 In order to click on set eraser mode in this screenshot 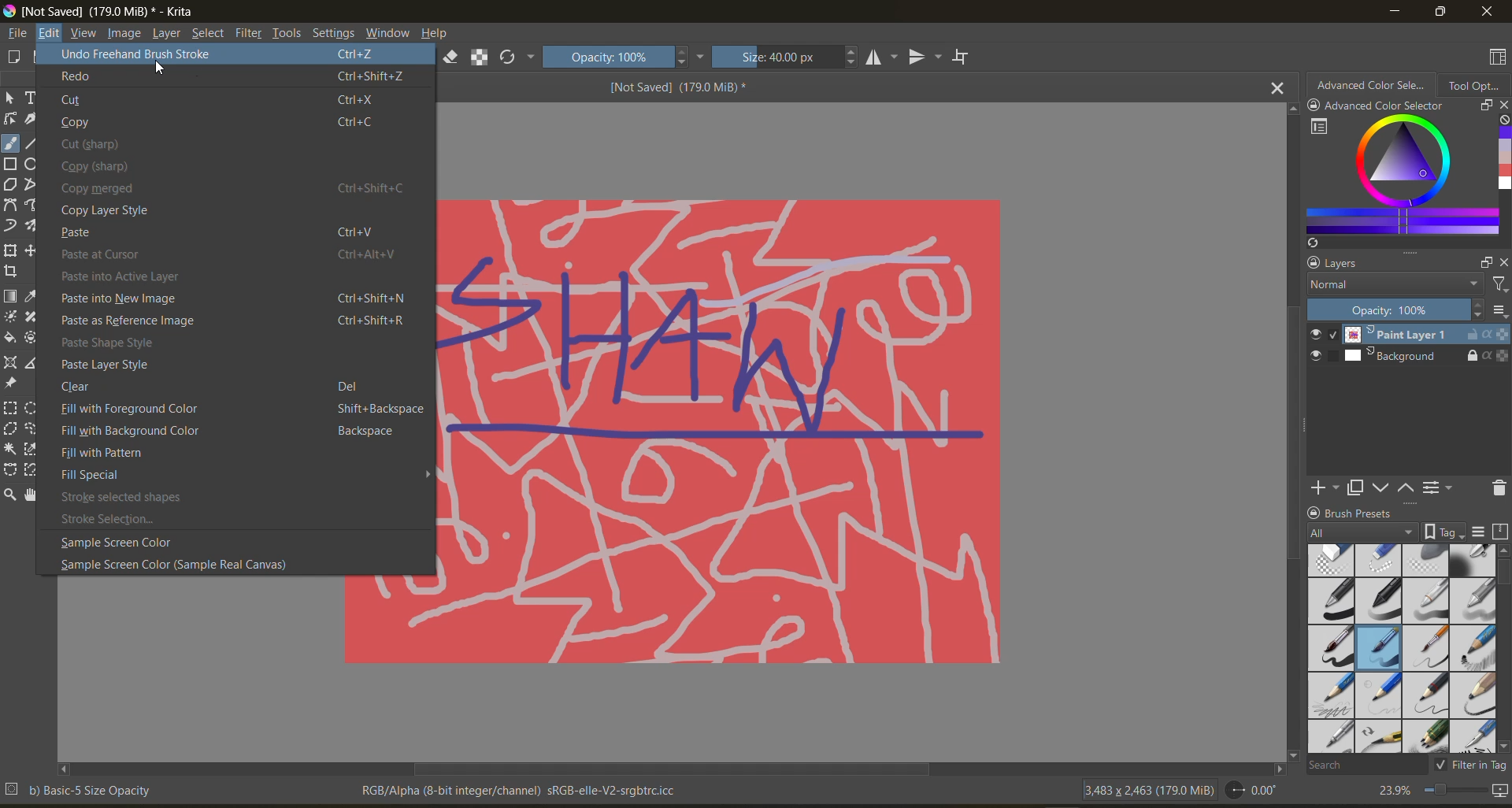, I will do `click(451, 59)`.